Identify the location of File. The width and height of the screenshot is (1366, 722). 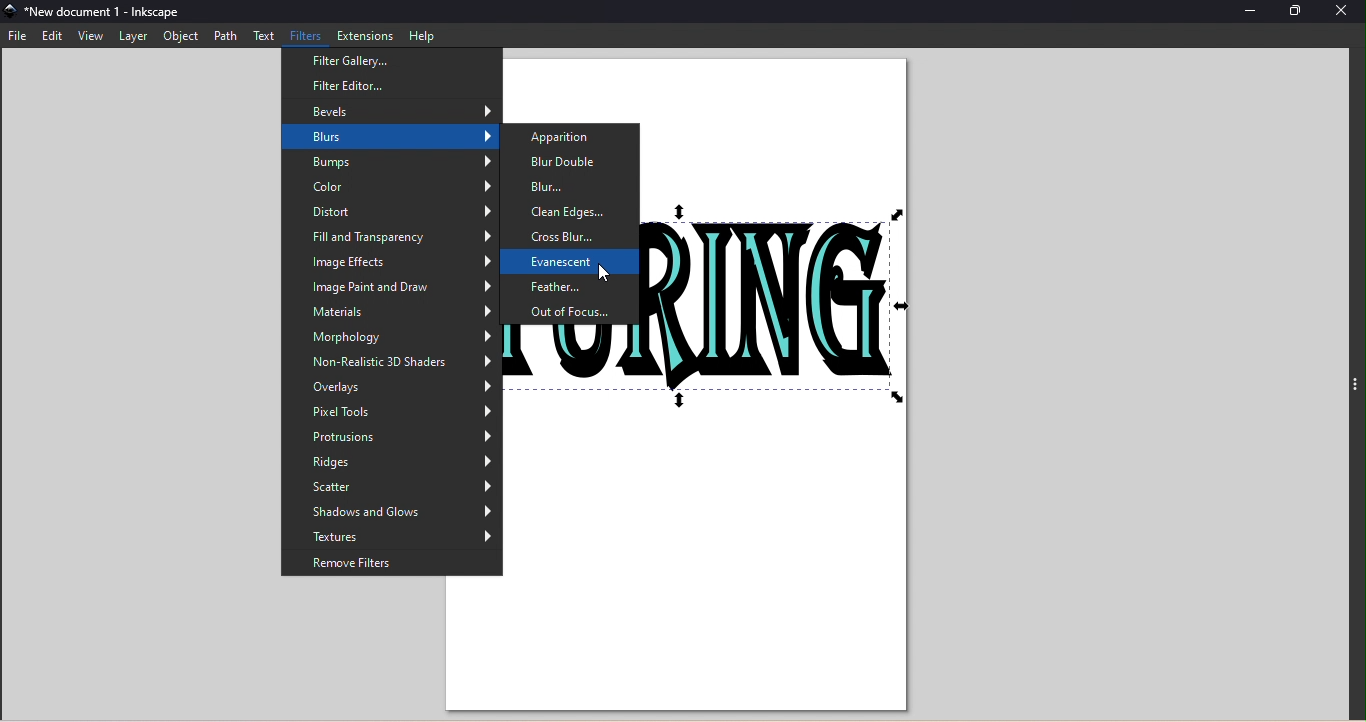
(19, 37).